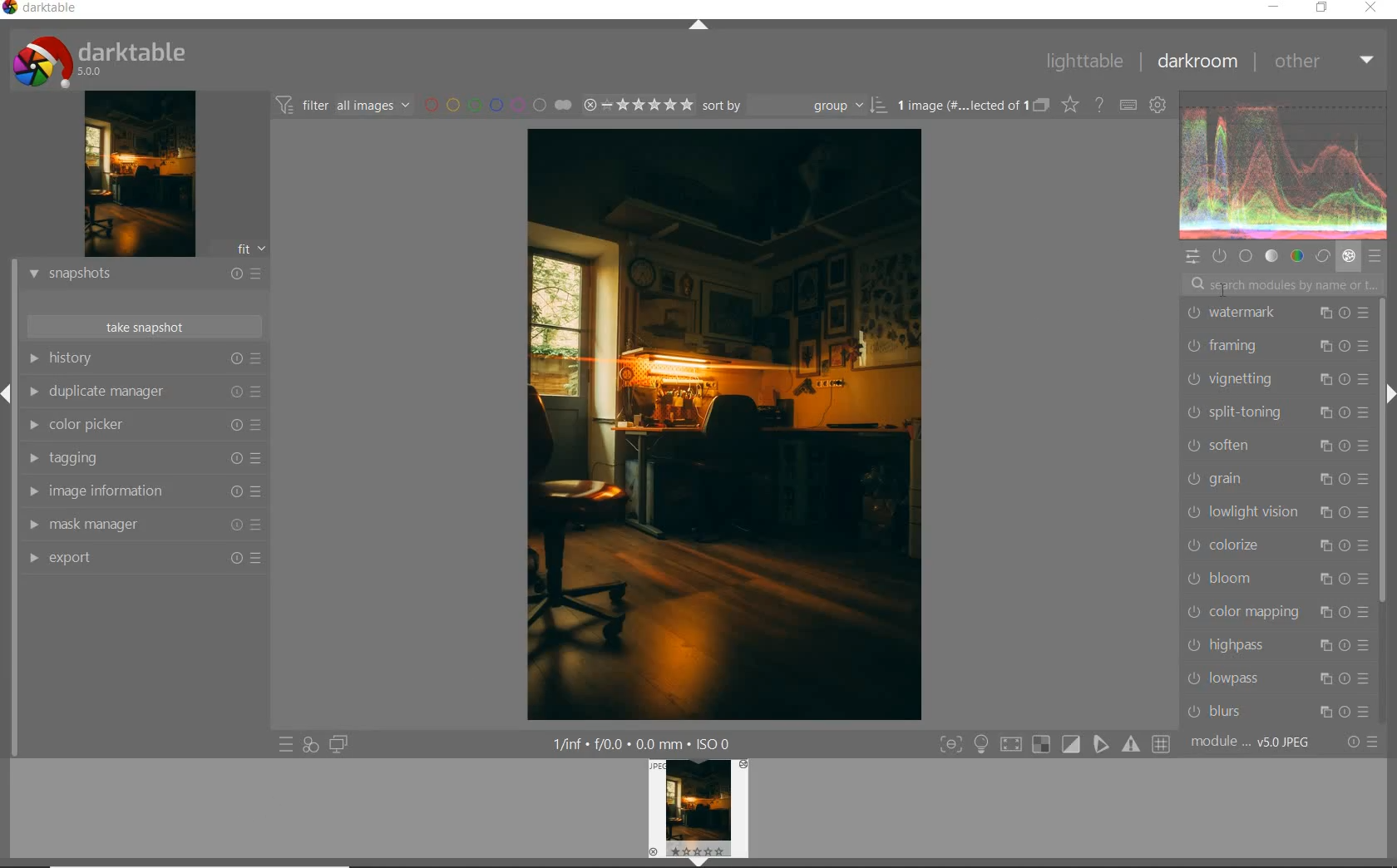 The width and height of the screenshot is (1397, 868). Describe the element at coordinates (1277, 412) in the screenshot. I see `split-toning` at that location.